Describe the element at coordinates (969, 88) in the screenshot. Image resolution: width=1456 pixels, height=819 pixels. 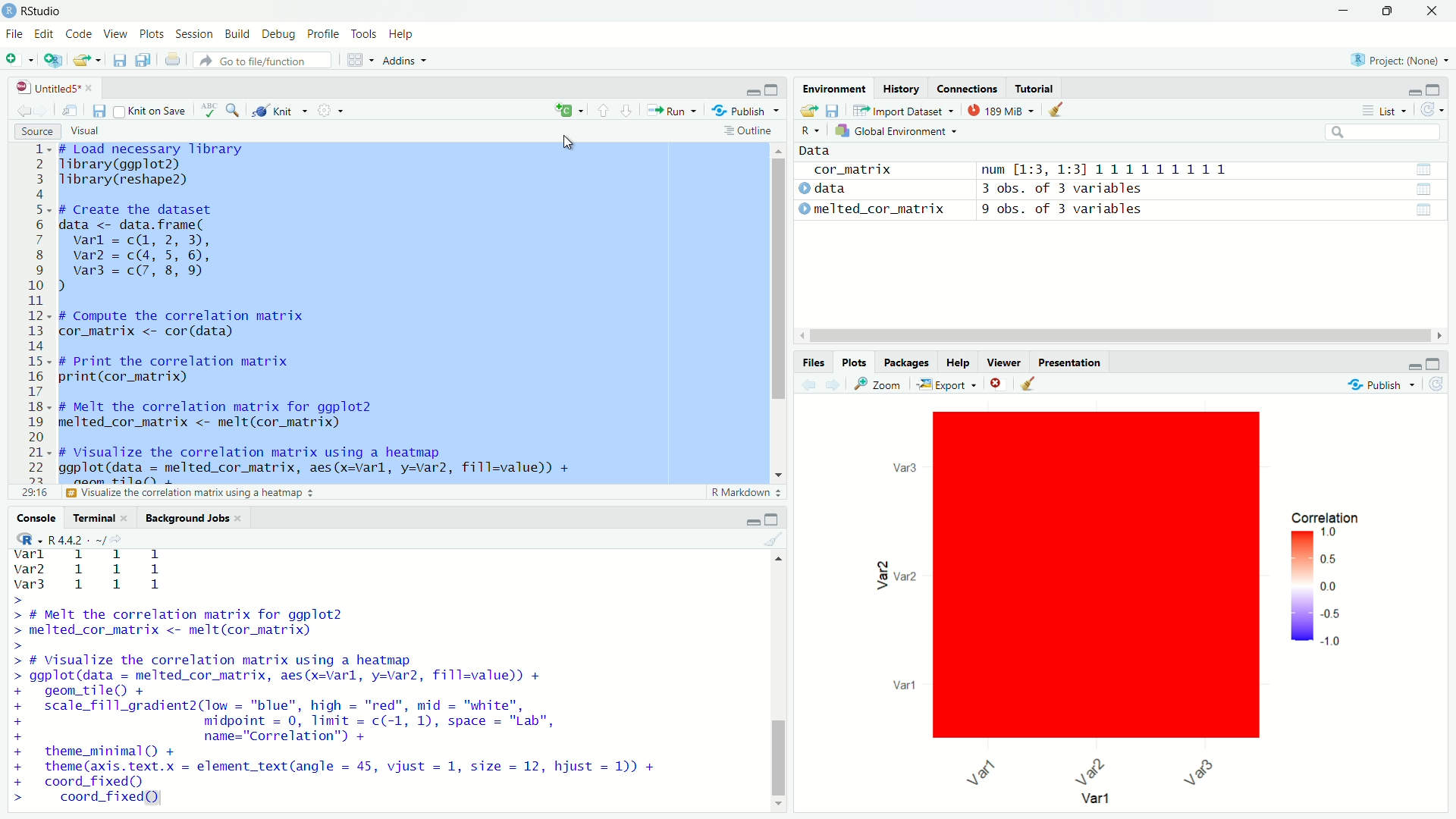
I see `connections` at that location.